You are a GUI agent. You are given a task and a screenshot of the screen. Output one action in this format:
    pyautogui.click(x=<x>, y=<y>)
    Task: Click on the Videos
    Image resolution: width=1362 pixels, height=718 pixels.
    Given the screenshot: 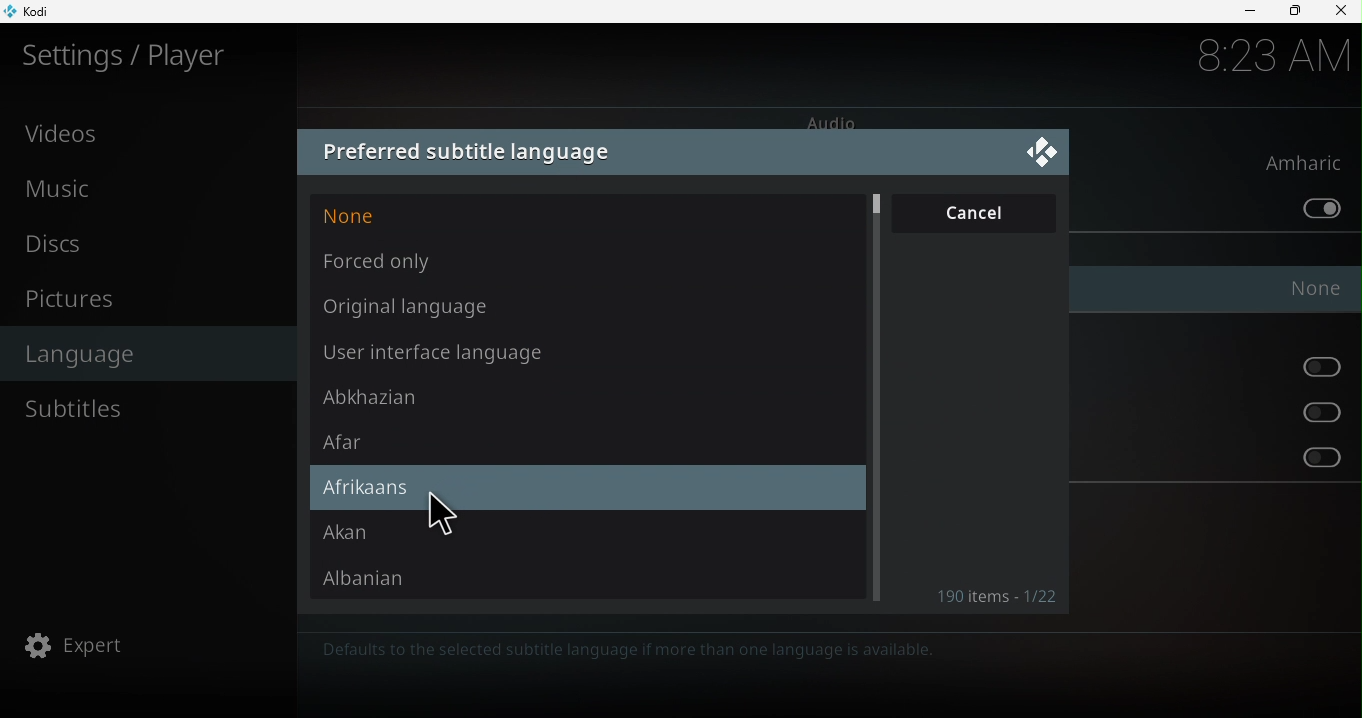 What is the action you would take?
    pyautogui.click(x=148, y=132)
    